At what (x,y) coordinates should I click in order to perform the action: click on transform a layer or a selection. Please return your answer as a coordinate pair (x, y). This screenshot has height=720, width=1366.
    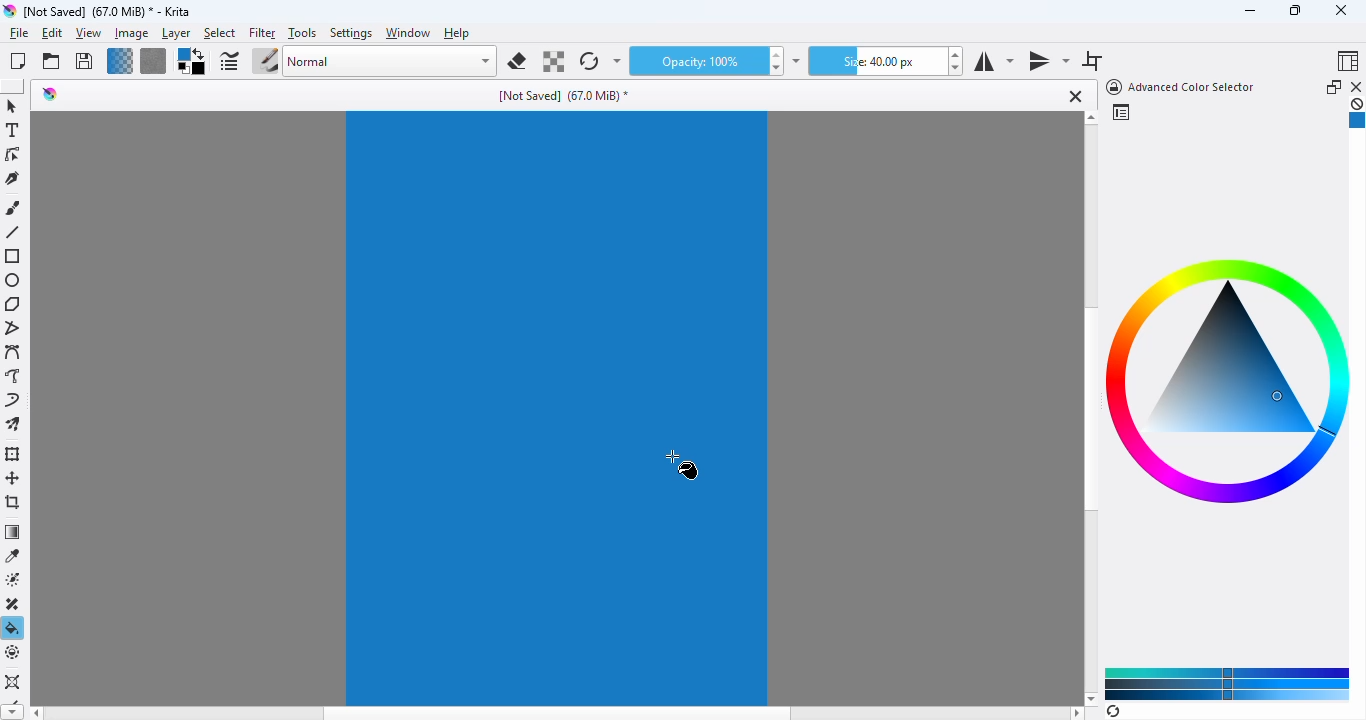
    Looking at the image, I should click on (15, 454).